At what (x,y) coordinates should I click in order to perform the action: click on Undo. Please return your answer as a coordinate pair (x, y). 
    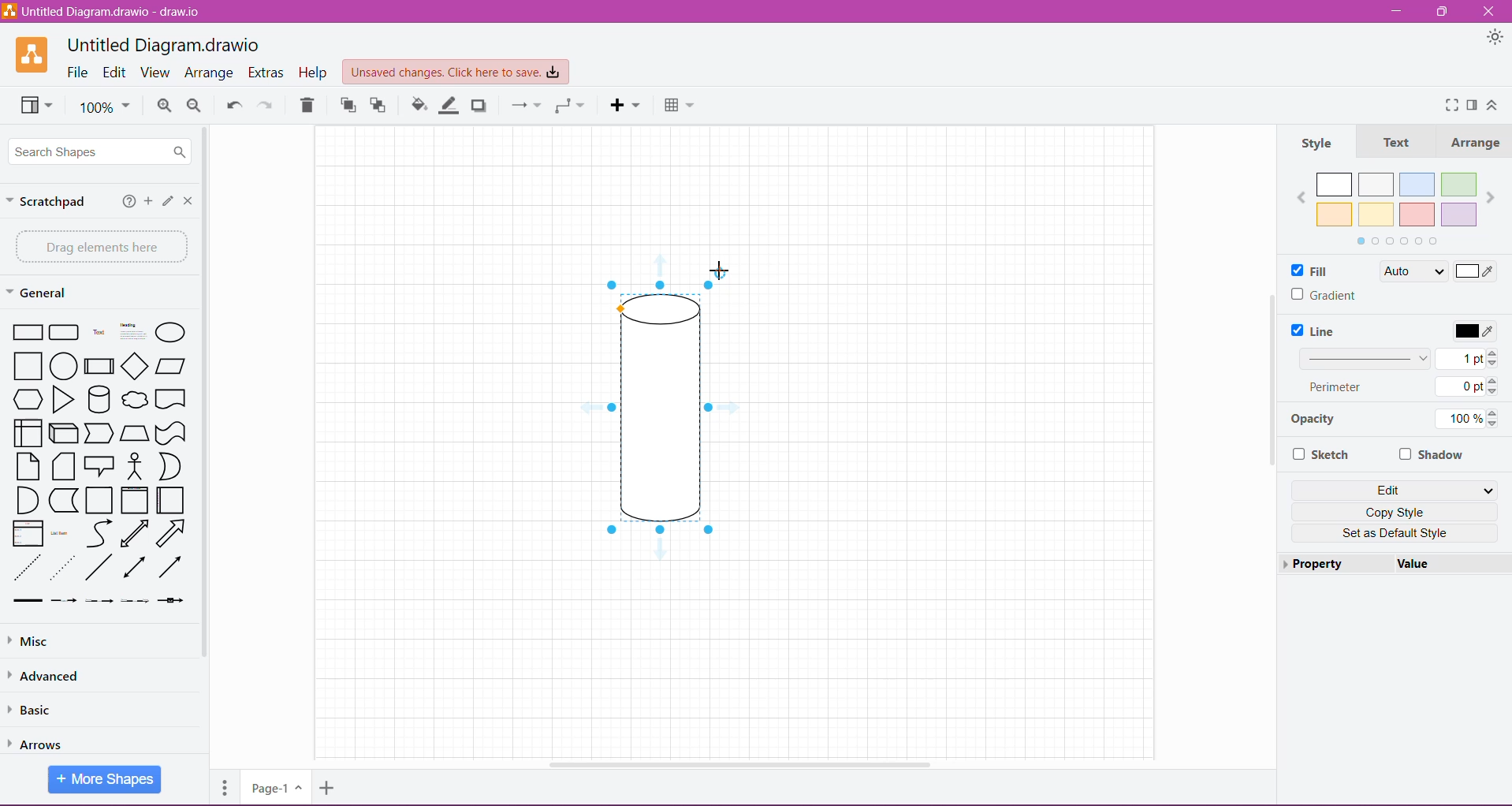
    Looking at the image, I should click on (233, 104).